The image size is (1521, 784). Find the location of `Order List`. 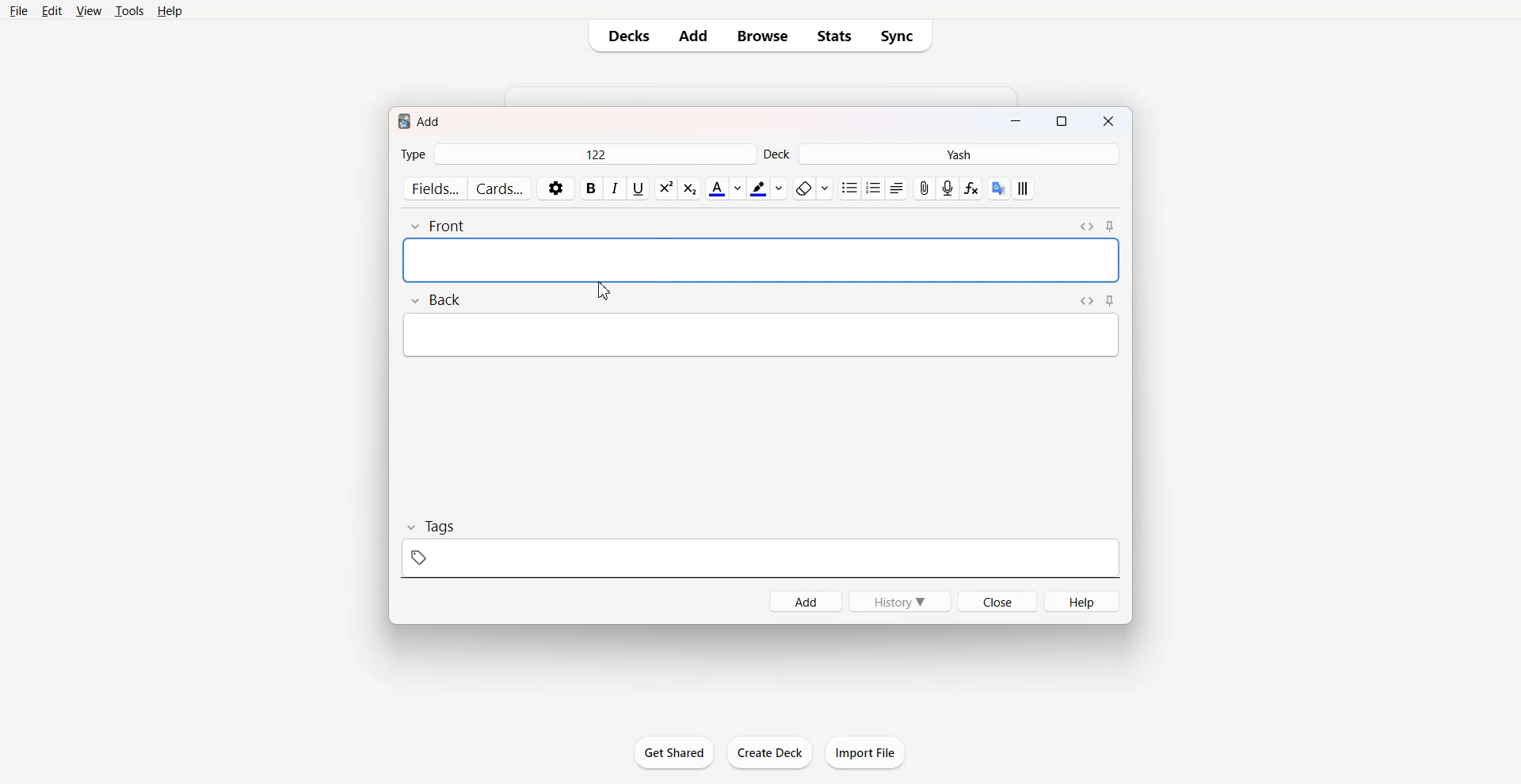

Order List is located at coordinates (873, 188).